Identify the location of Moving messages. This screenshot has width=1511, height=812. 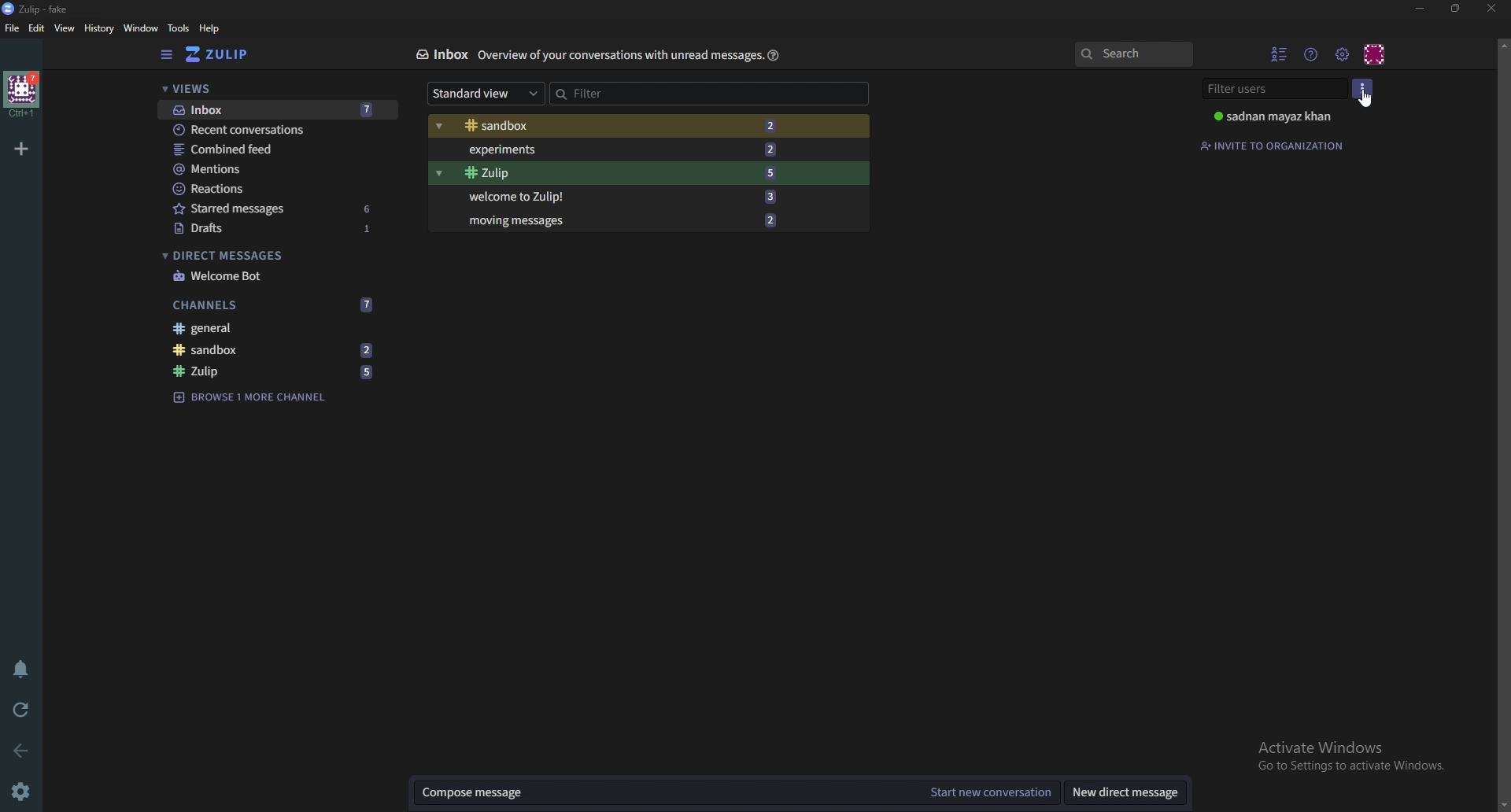
(621, 220).